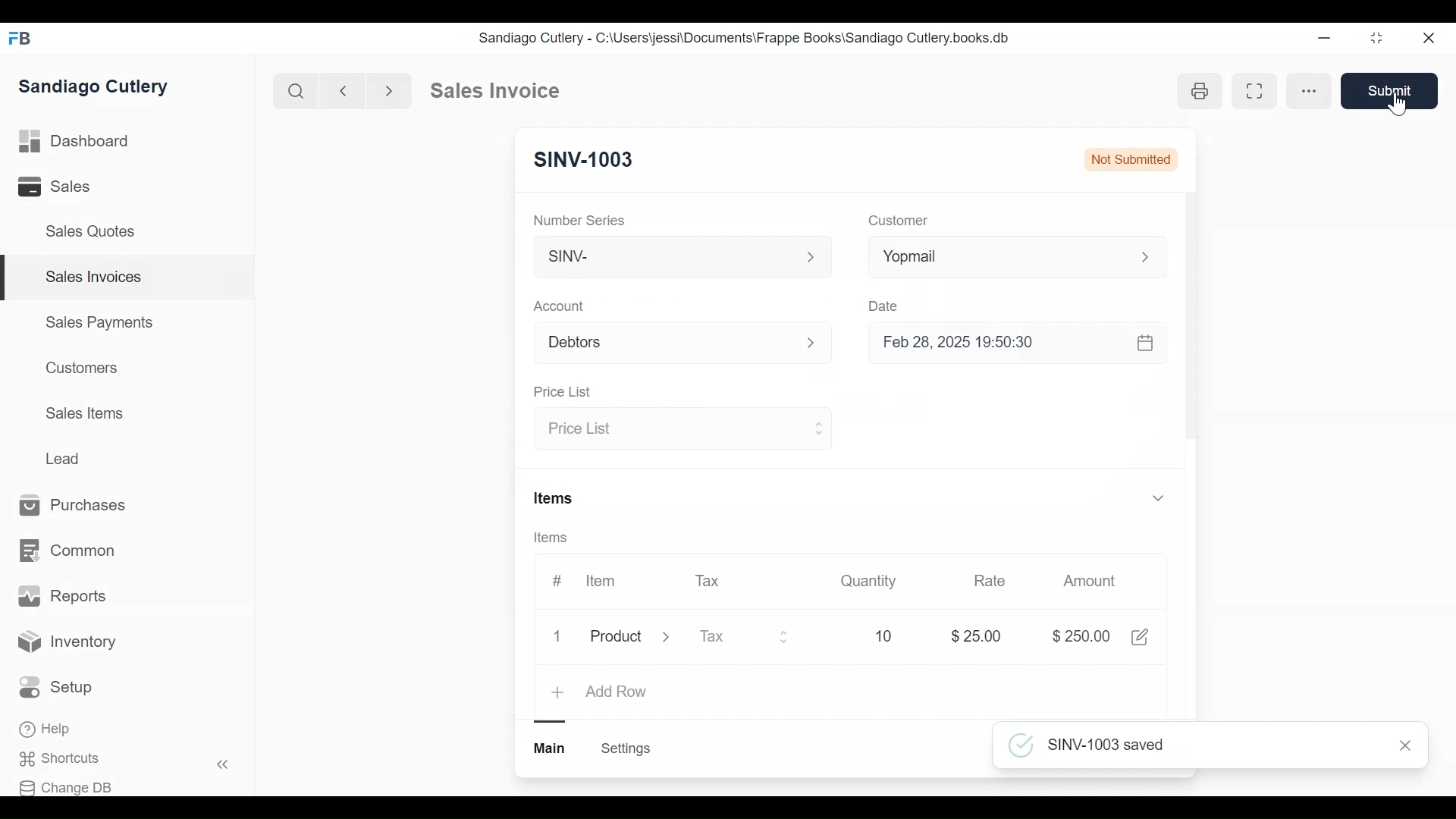 The width and height of the screenshot is (1456, 819). I want to click on Sales Items, so click(84, 412).